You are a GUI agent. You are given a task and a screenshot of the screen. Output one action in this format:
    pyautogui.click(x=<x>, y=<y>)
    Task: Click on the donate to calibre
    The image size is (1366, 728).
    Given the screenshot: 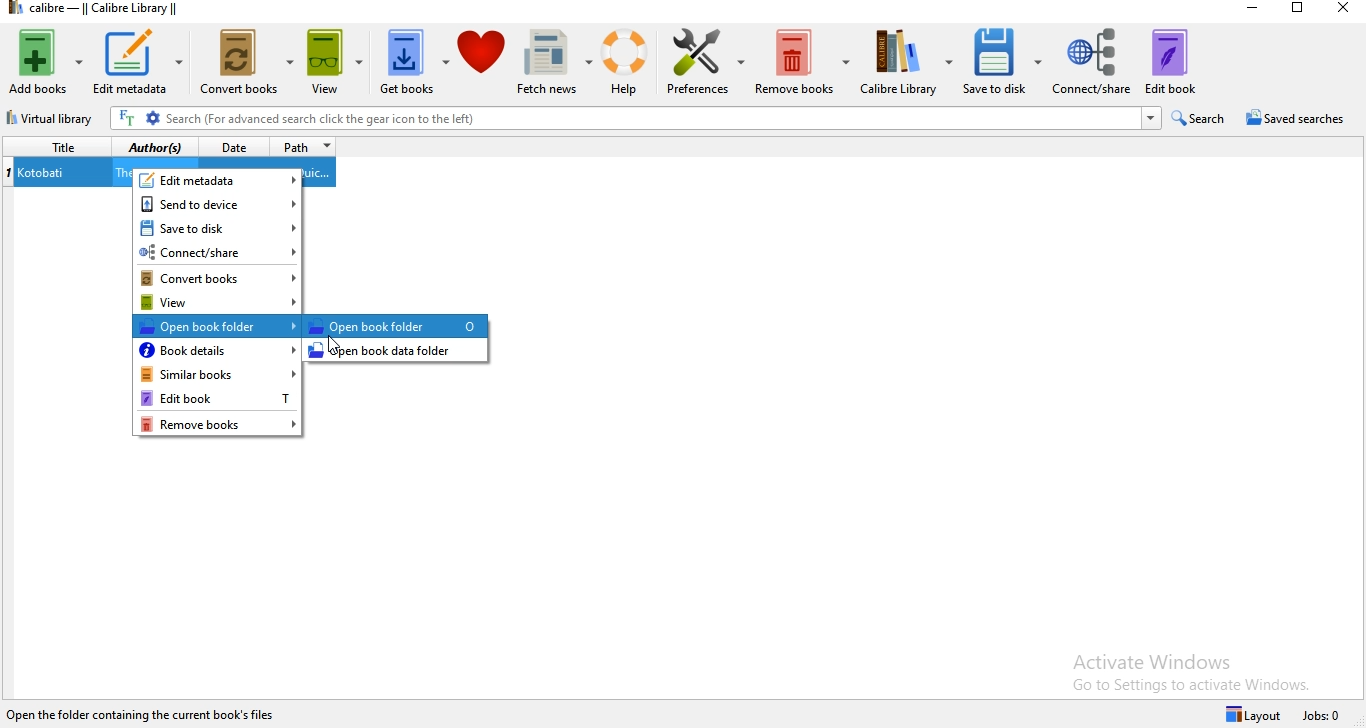 What is the action you would take?
    pyautogui.click(x=483, y=62)
    